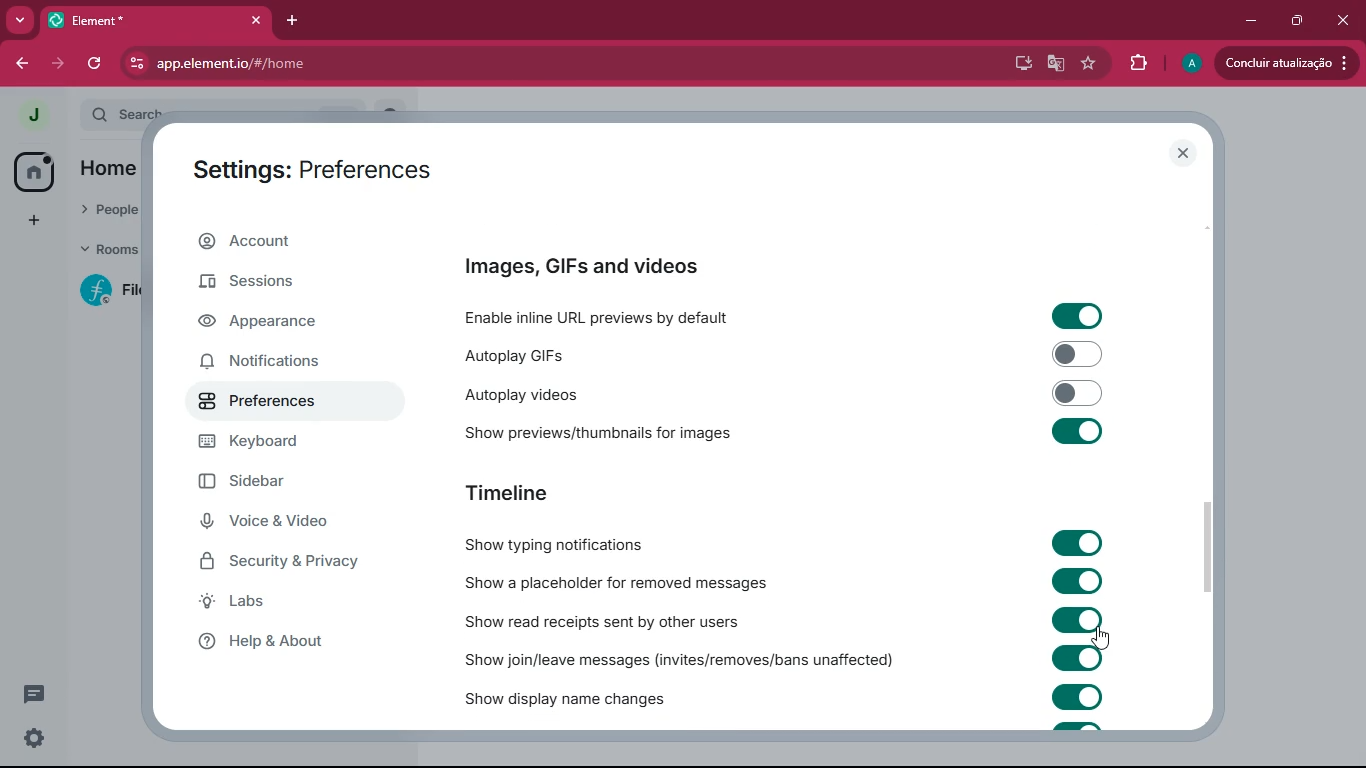 The width and height of the screenshot is (1366, 768). What do you see at coordinates (309, 171) in the screenshot?
I see `settings: preferences` at bounding box center [309, 171].